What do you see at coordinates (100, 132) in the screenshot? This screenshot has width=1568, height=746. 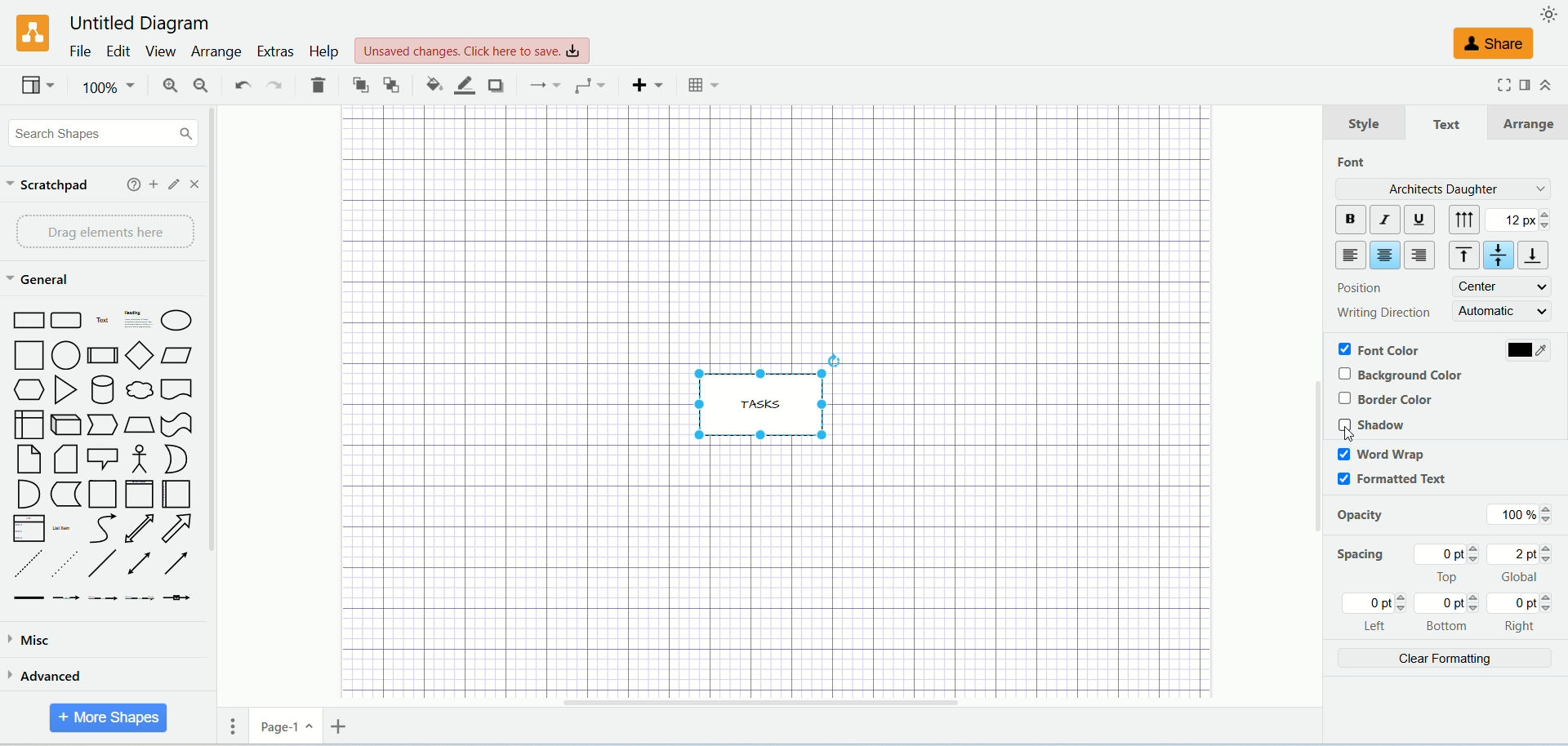 I see `search shapes` at bounding box center [100, 132].